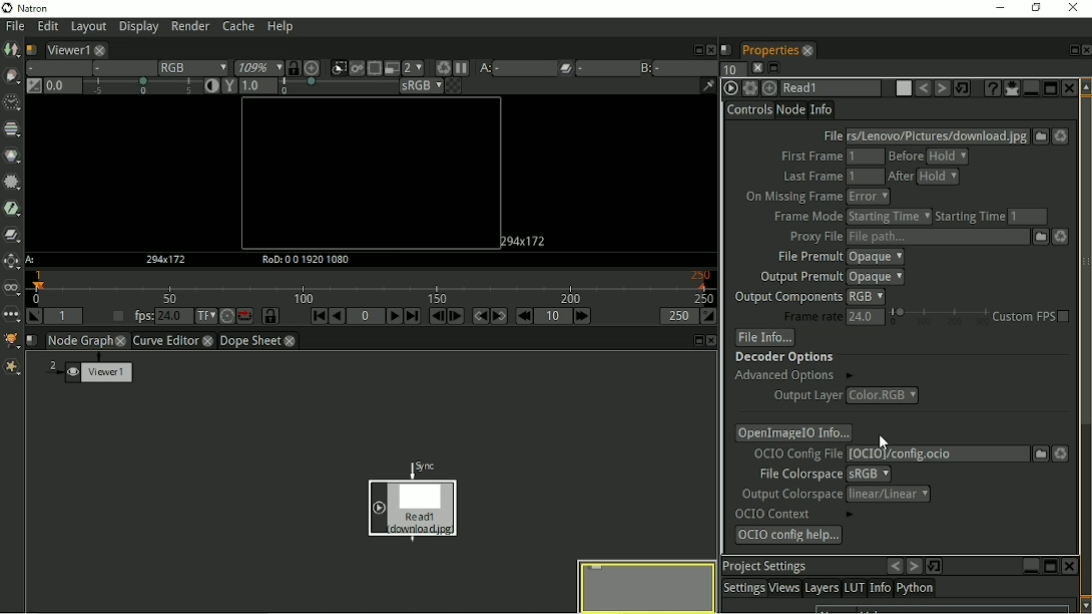  What do you see at coordinates (574, 68) in the screenshot?
I see `Operations pllied between Viewer input A and B` at bounding box center [574, 68].